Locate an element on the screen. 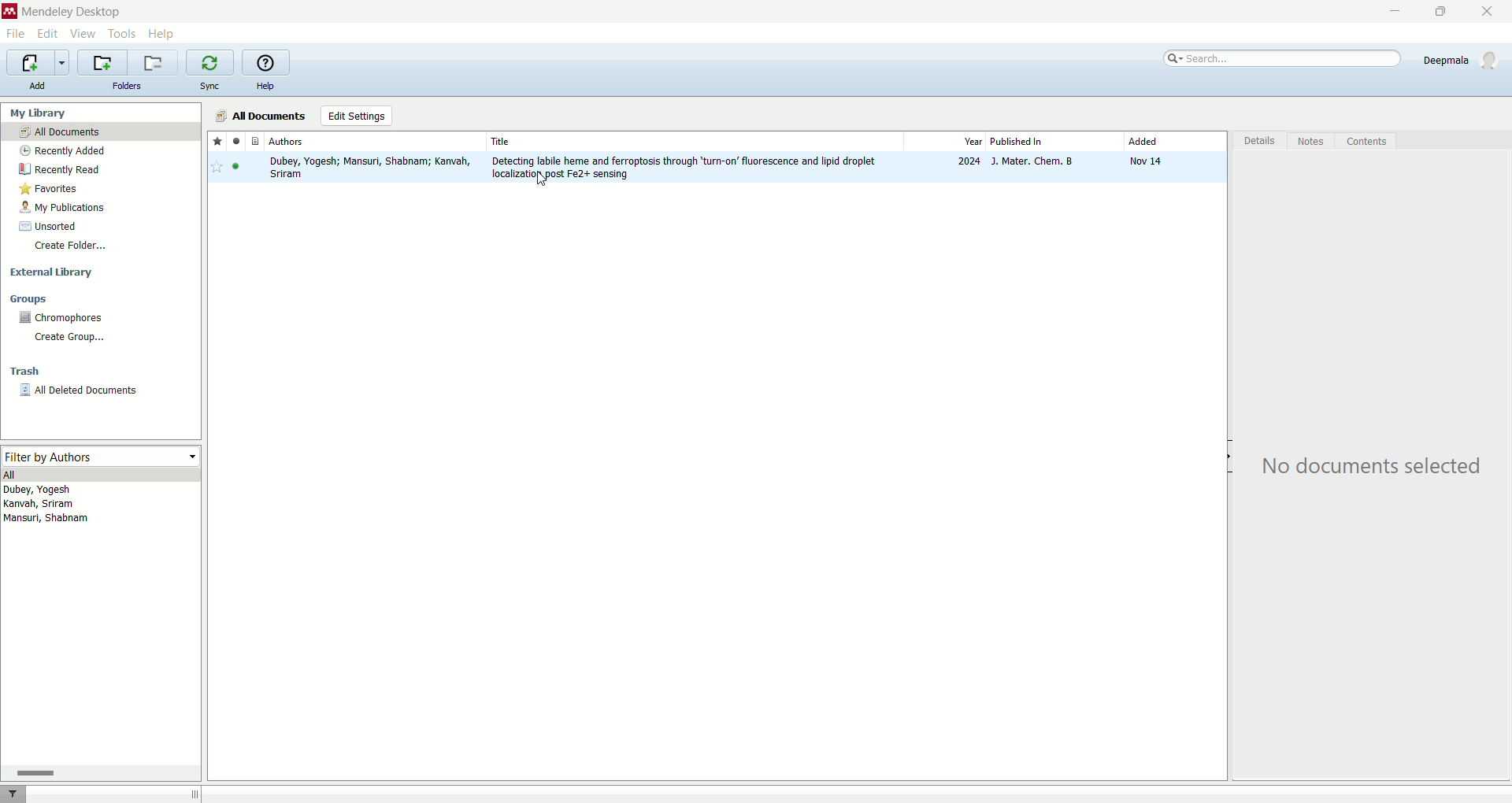  edit settings is located at coordinates (356, 116).